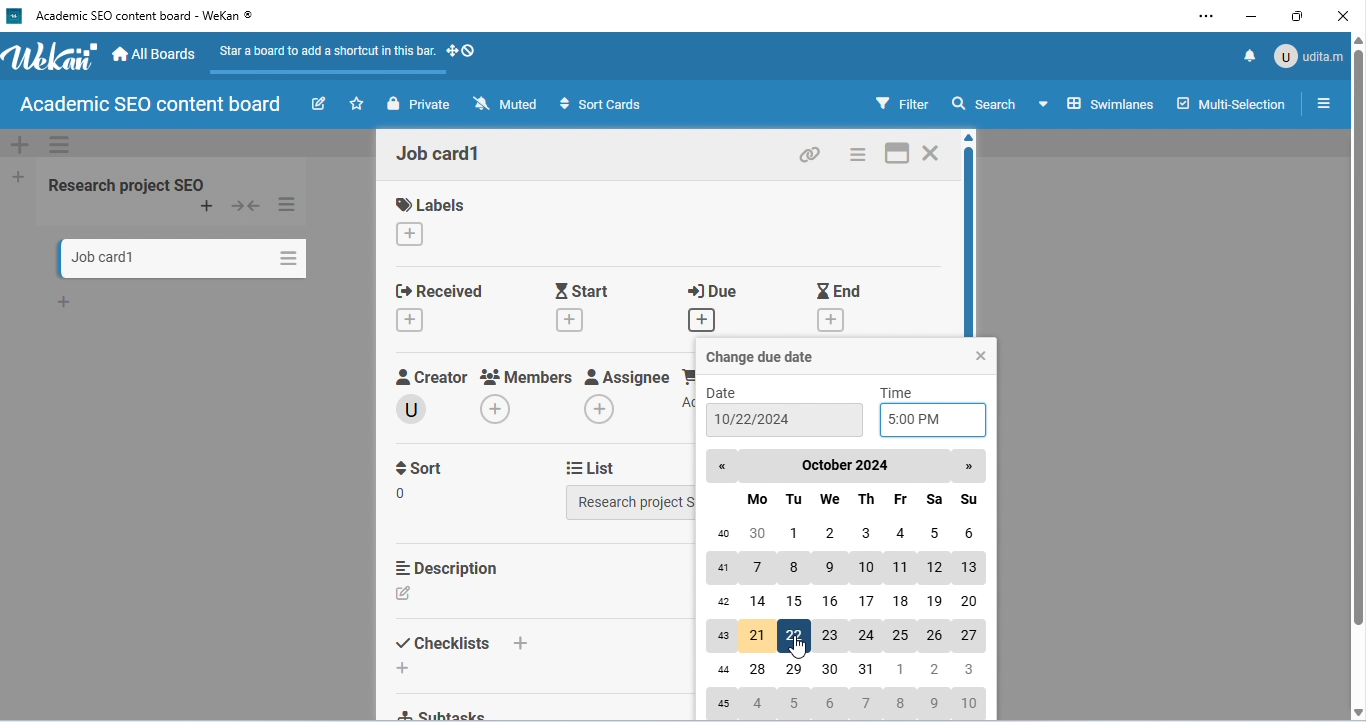 Image resolution: width=1366 pixels, height=722 pixels. What do you see at coordinates (425, 470) in the screenshot?
I see `sort` at bounding box center [425, 470].